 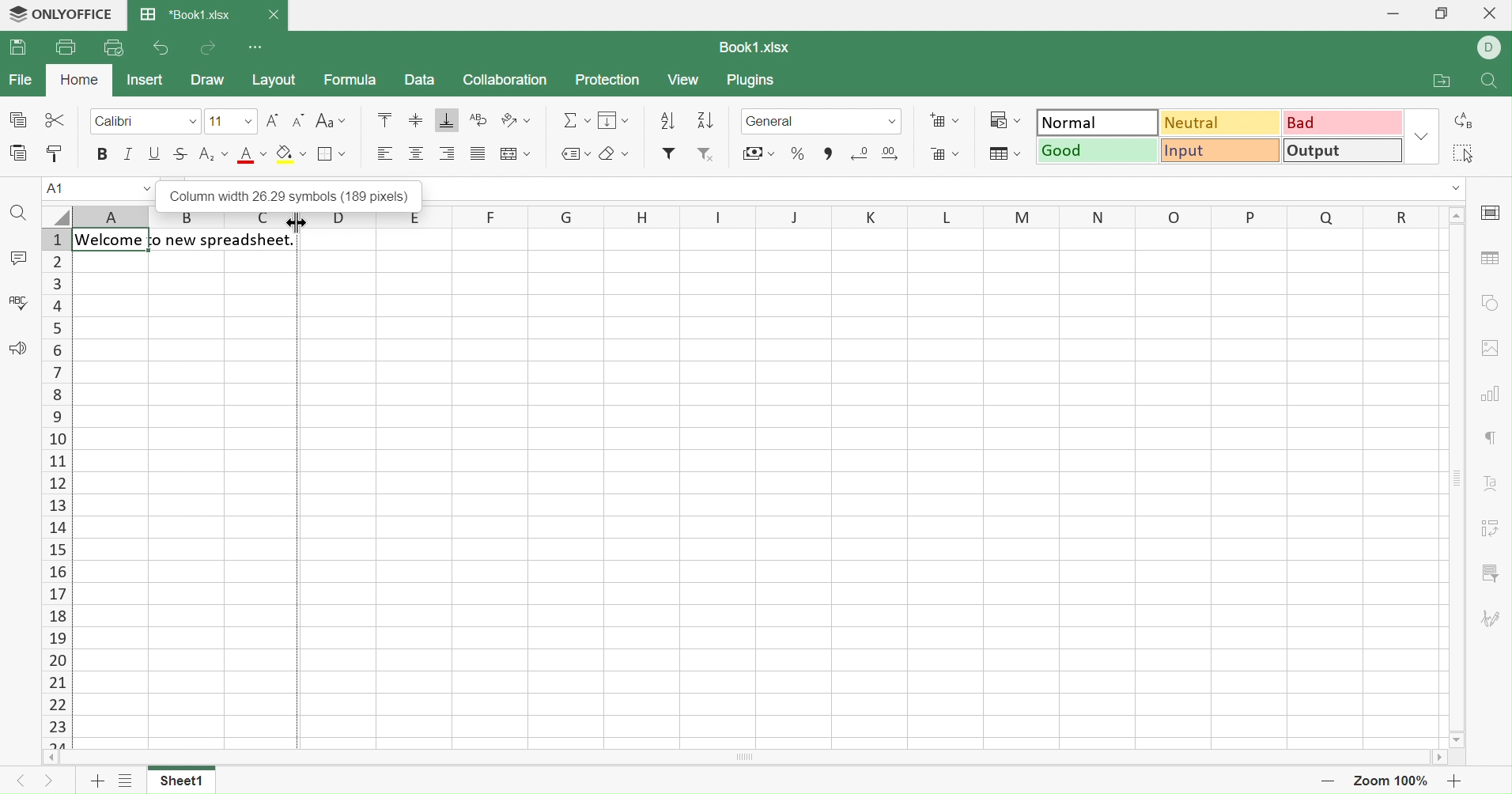 I want to click on Scroll Bar, so click(x=749, y=758).